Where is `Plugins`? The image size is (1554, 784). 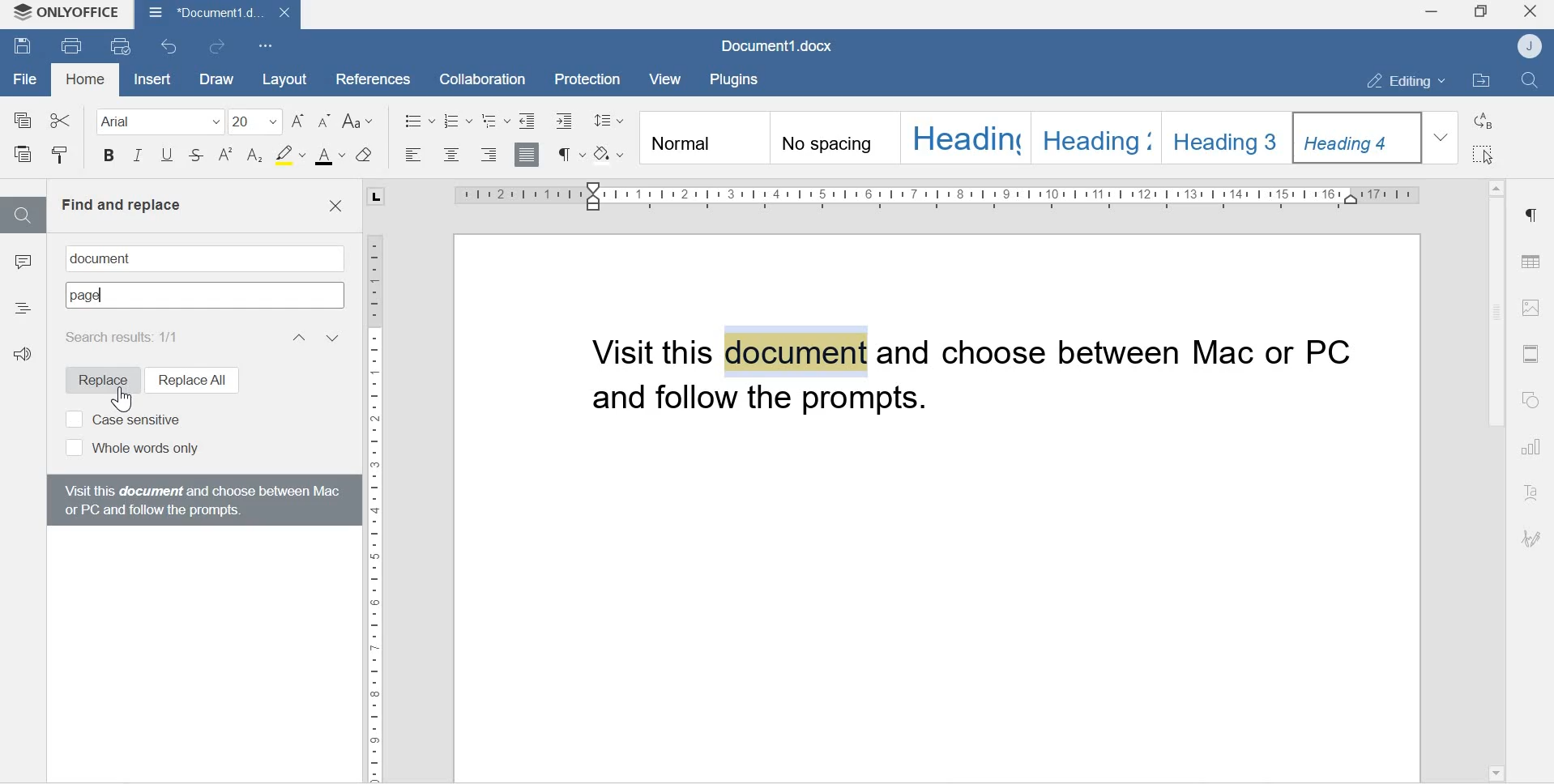
Plugins is located at coordinates (738, 78).